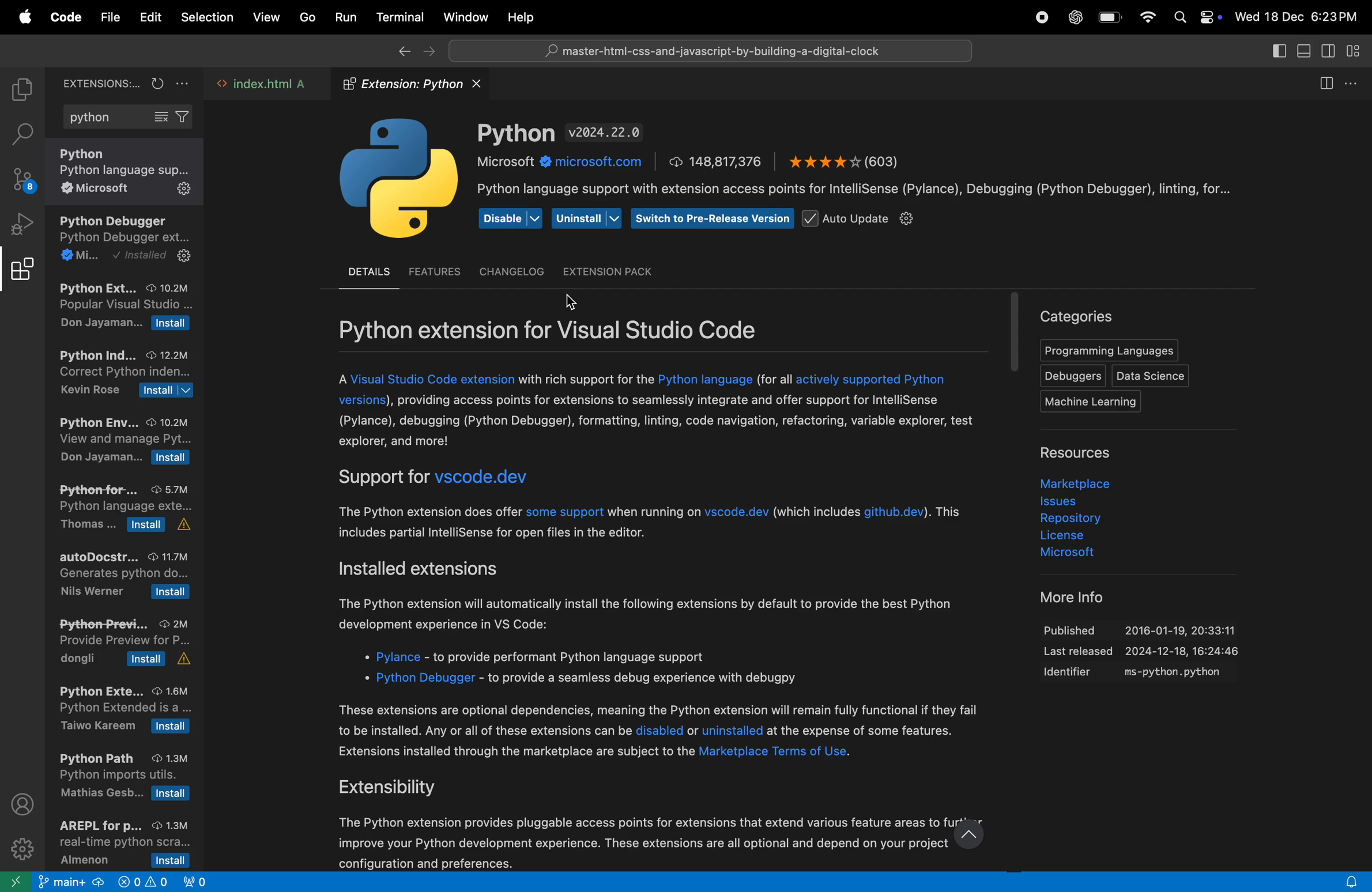 The height and width of the screenshot is (892, 1372). Describe the element at coordinates (511, 272) in the screenshot. I see `channel log` at that location.